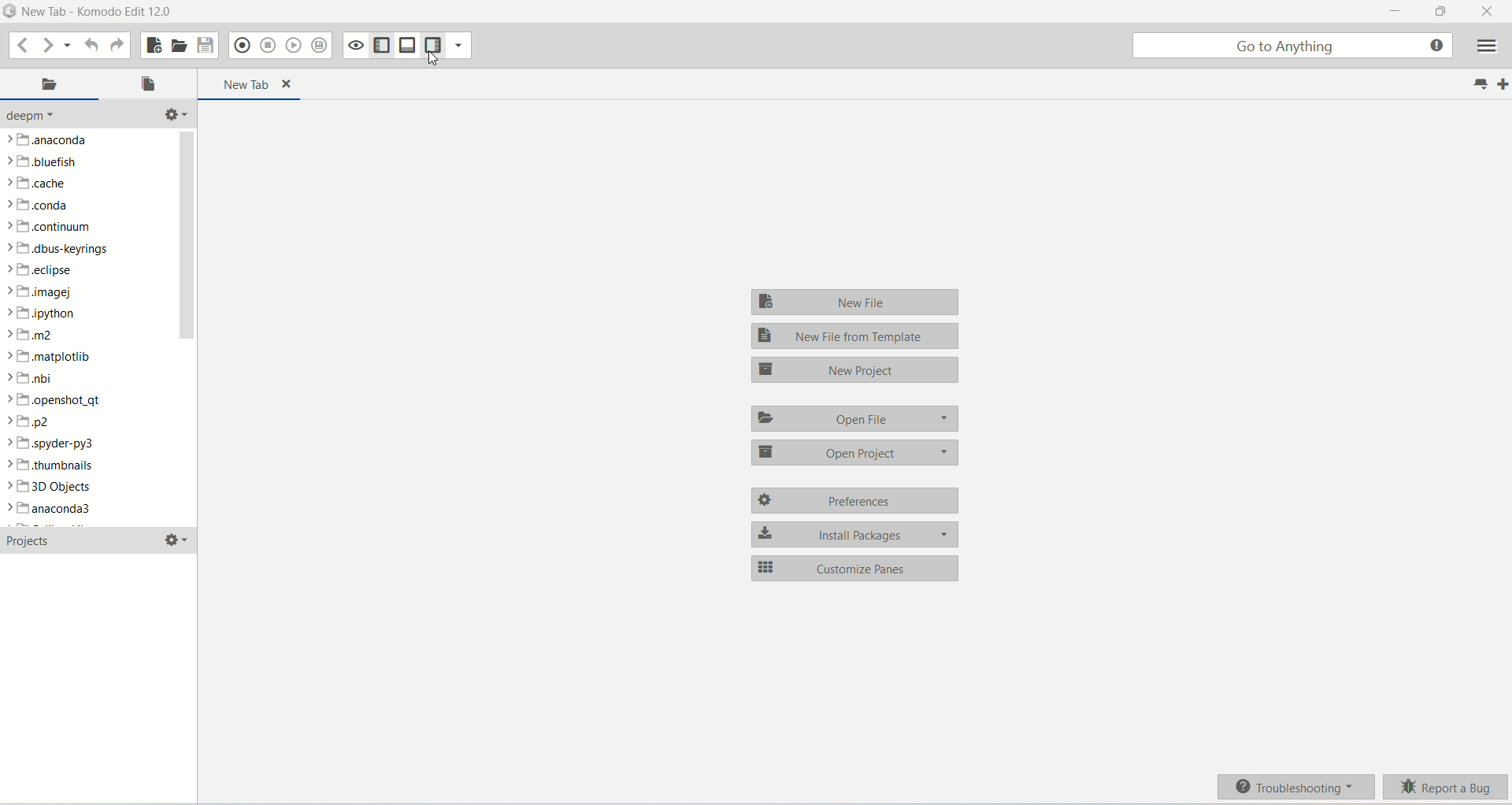 The image size is (1512, 805). What do you see at coordinates (380, 45) in the screenshot?
I see `show/hide left pane` at bounding box center [380, 45].